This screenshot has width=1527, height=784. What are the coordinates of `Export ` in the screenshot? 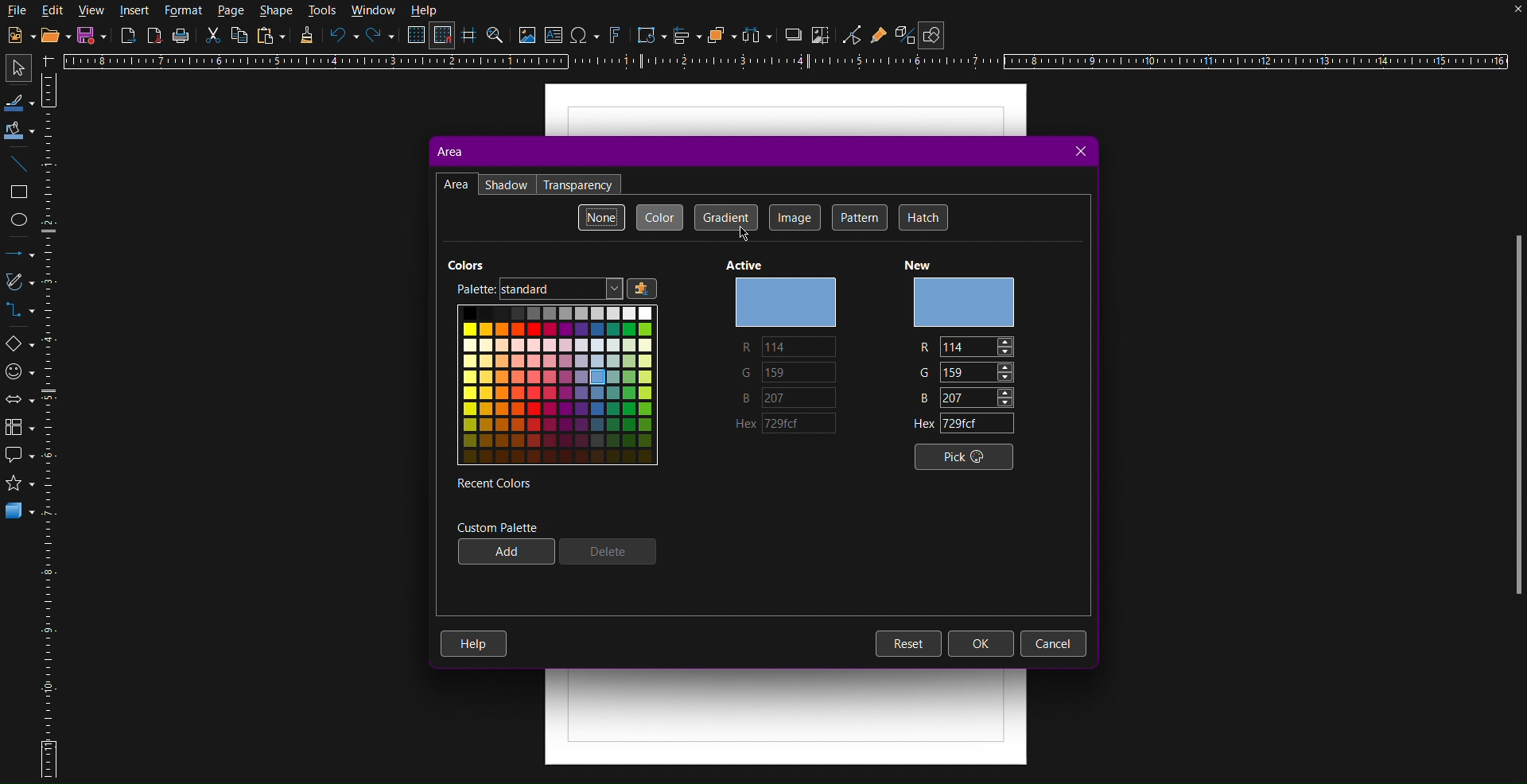 It's located at (127, 37).